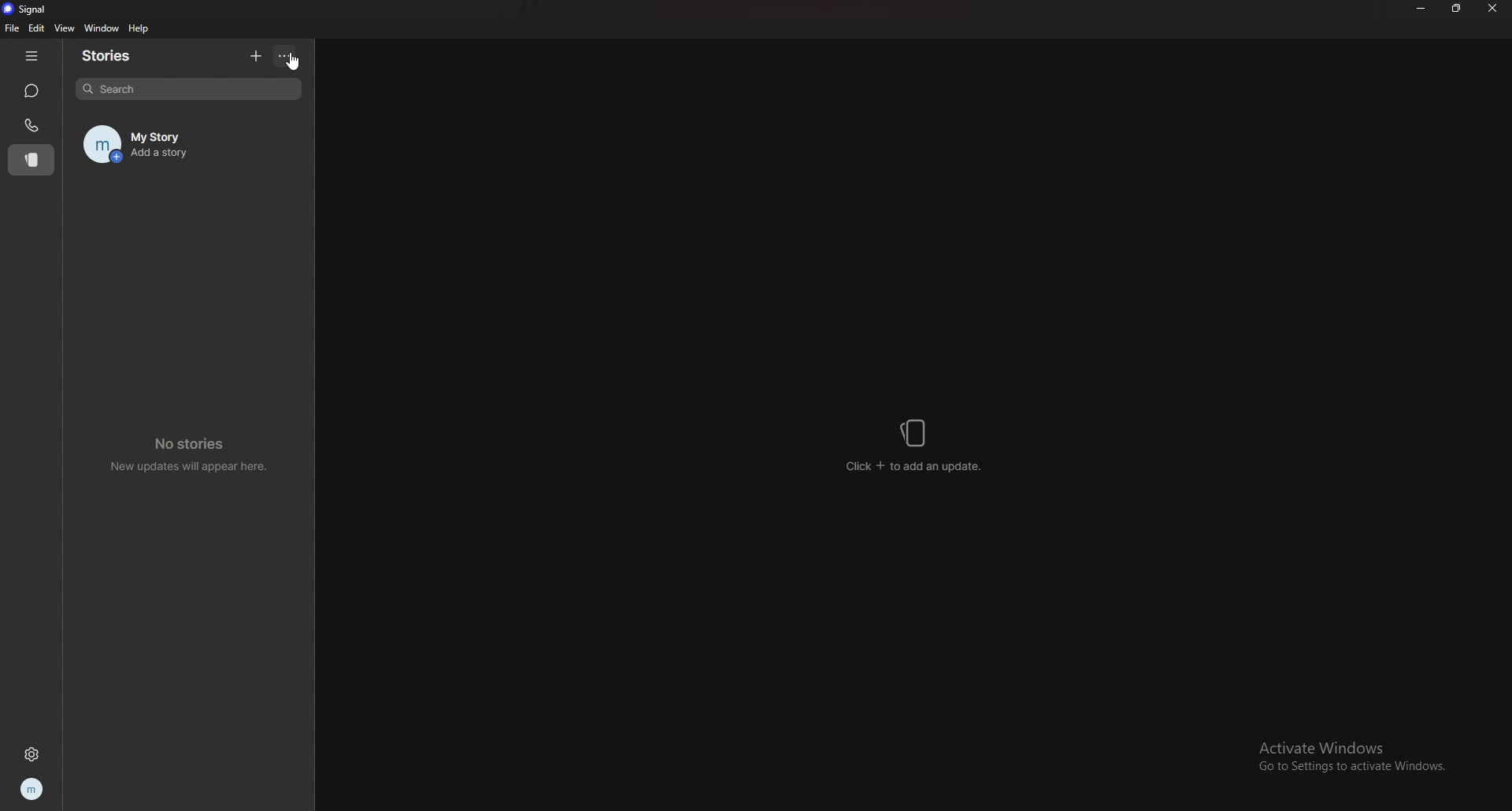 This screenshot has height=811, width=1512. Describe the element at coordinates (191, 467) in the screenshot. I see `New updates will appear here.` at that location.